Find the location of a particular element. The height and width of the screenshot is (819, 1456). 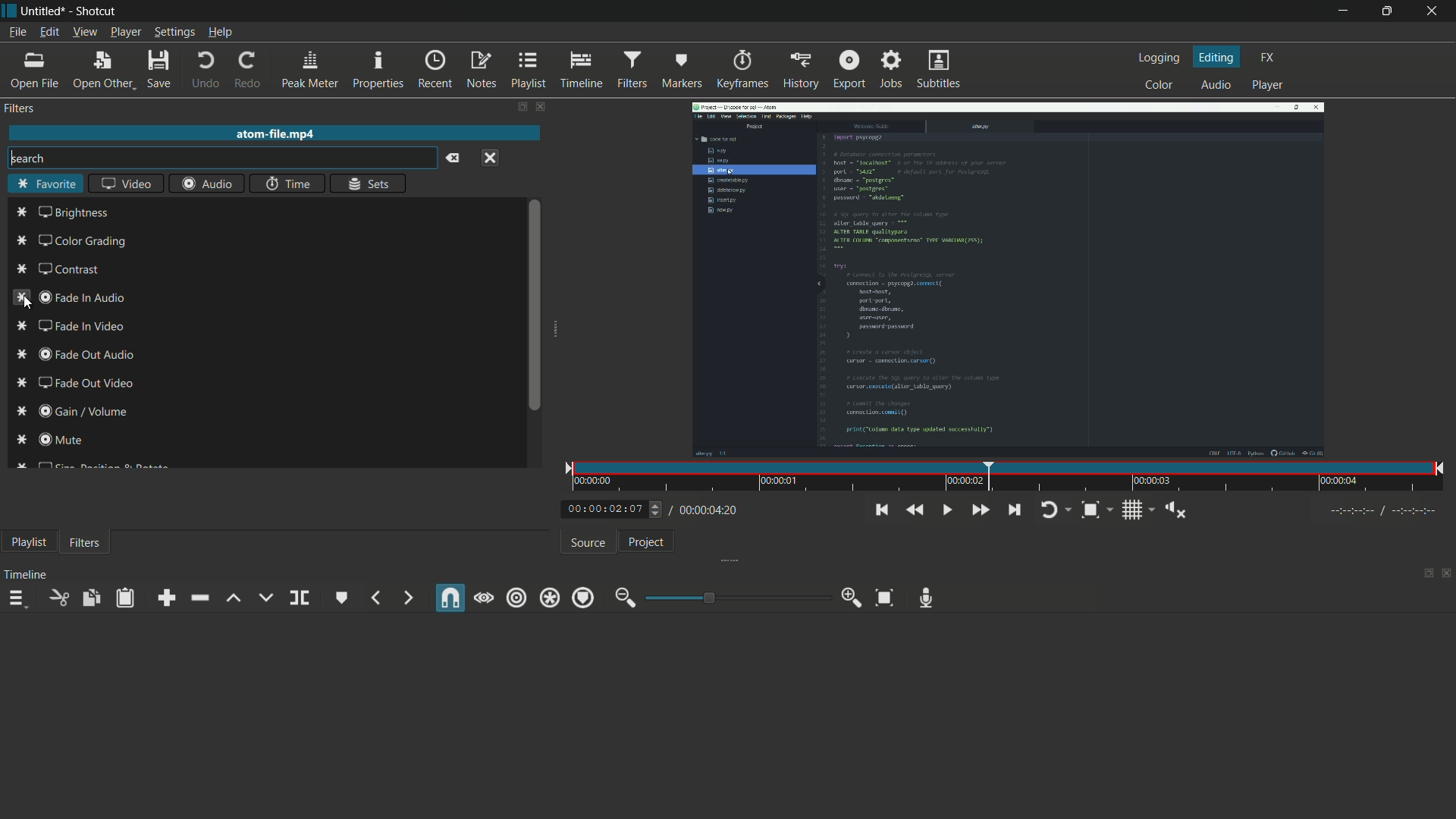

maximize is located at coordinates (1389, 11).